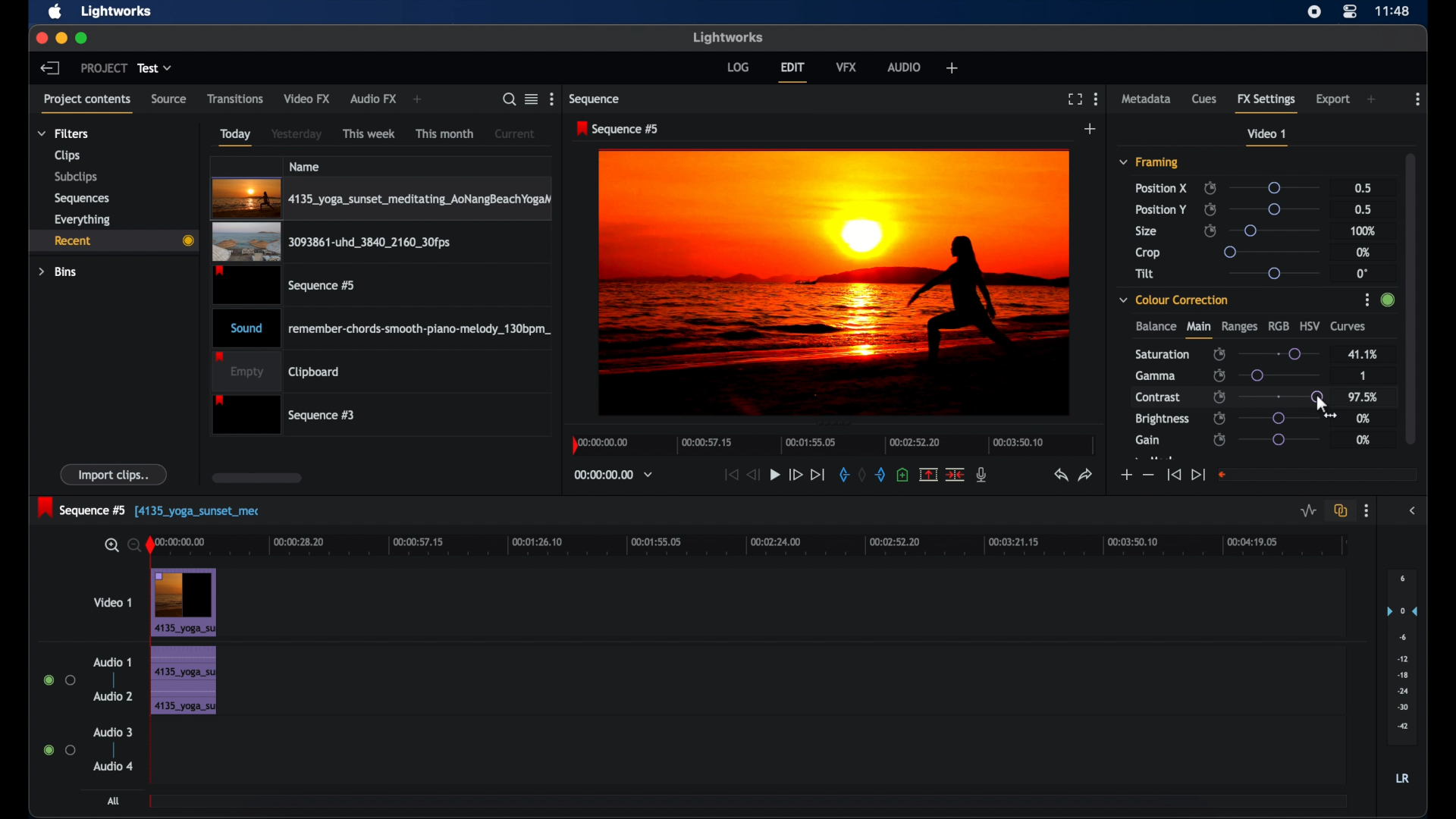  I want to click on add, so click(1090, 129).